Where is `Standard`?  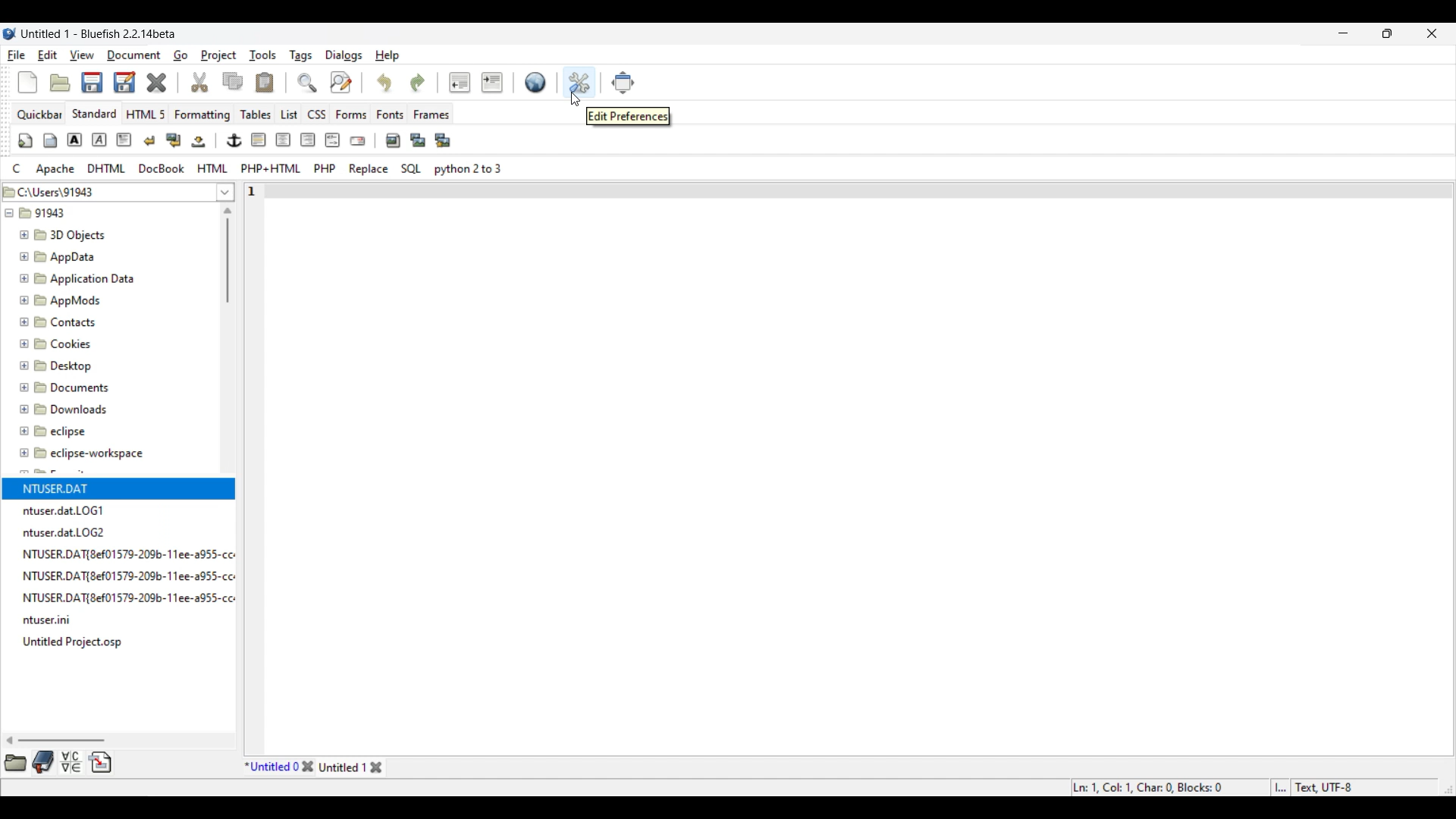 Standard is located at coordinates (94, 113).